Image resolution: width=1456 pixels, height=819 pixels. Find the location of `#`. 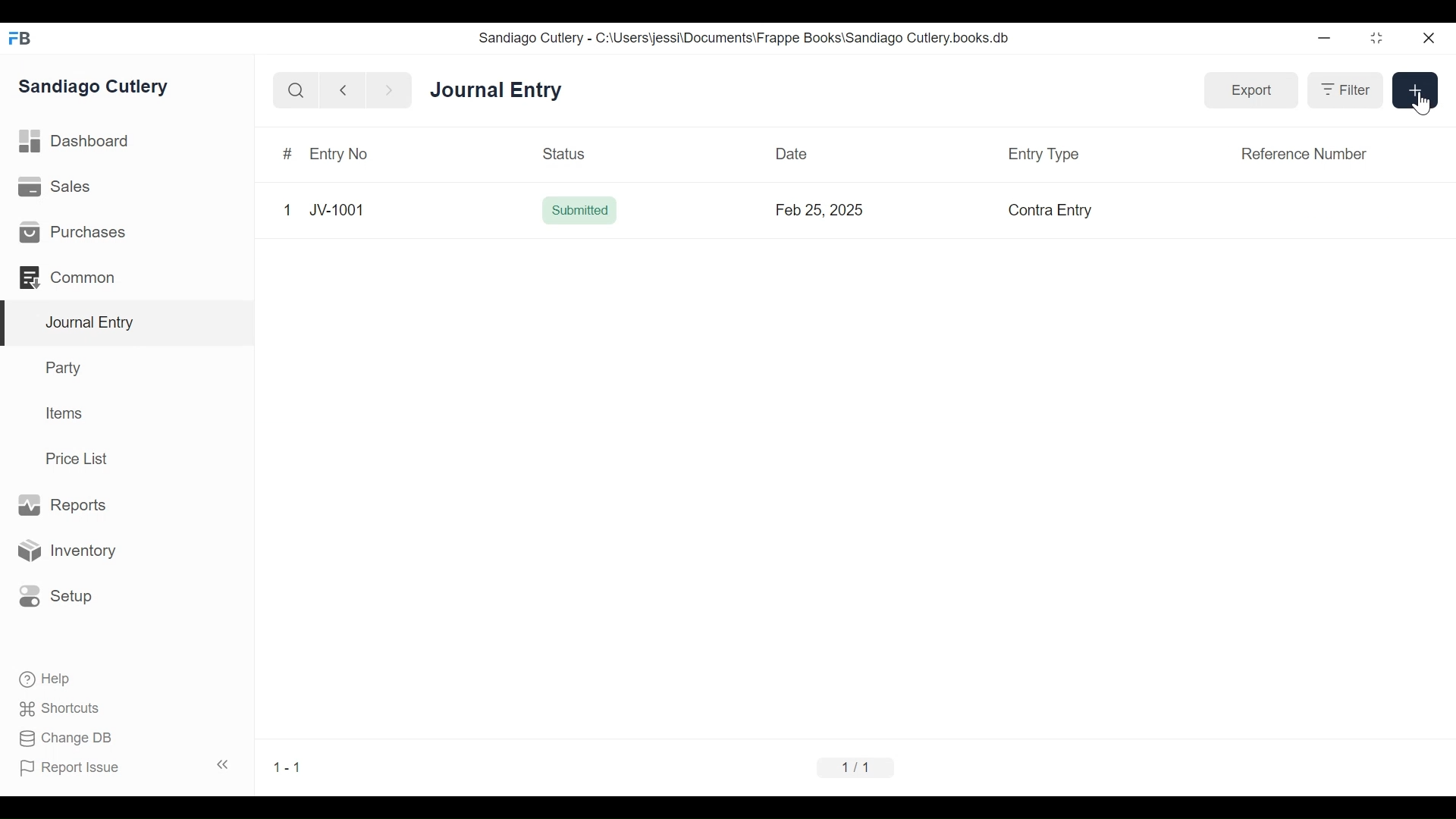

# is located at coordinates (285, 155).